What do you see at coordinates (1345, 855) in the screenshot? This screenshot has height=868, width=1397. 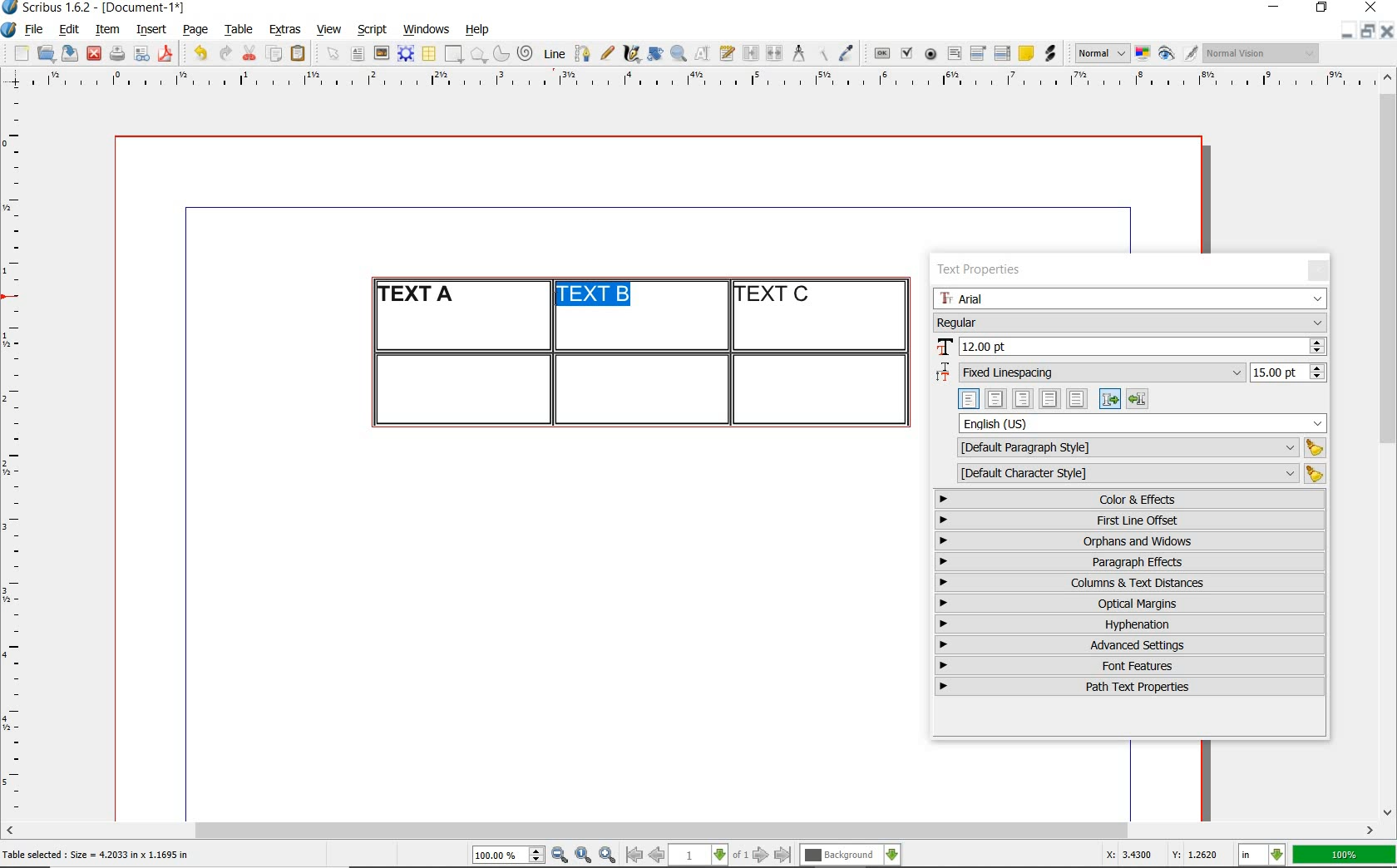 I see `100%` at bounding box center [1345, 855].